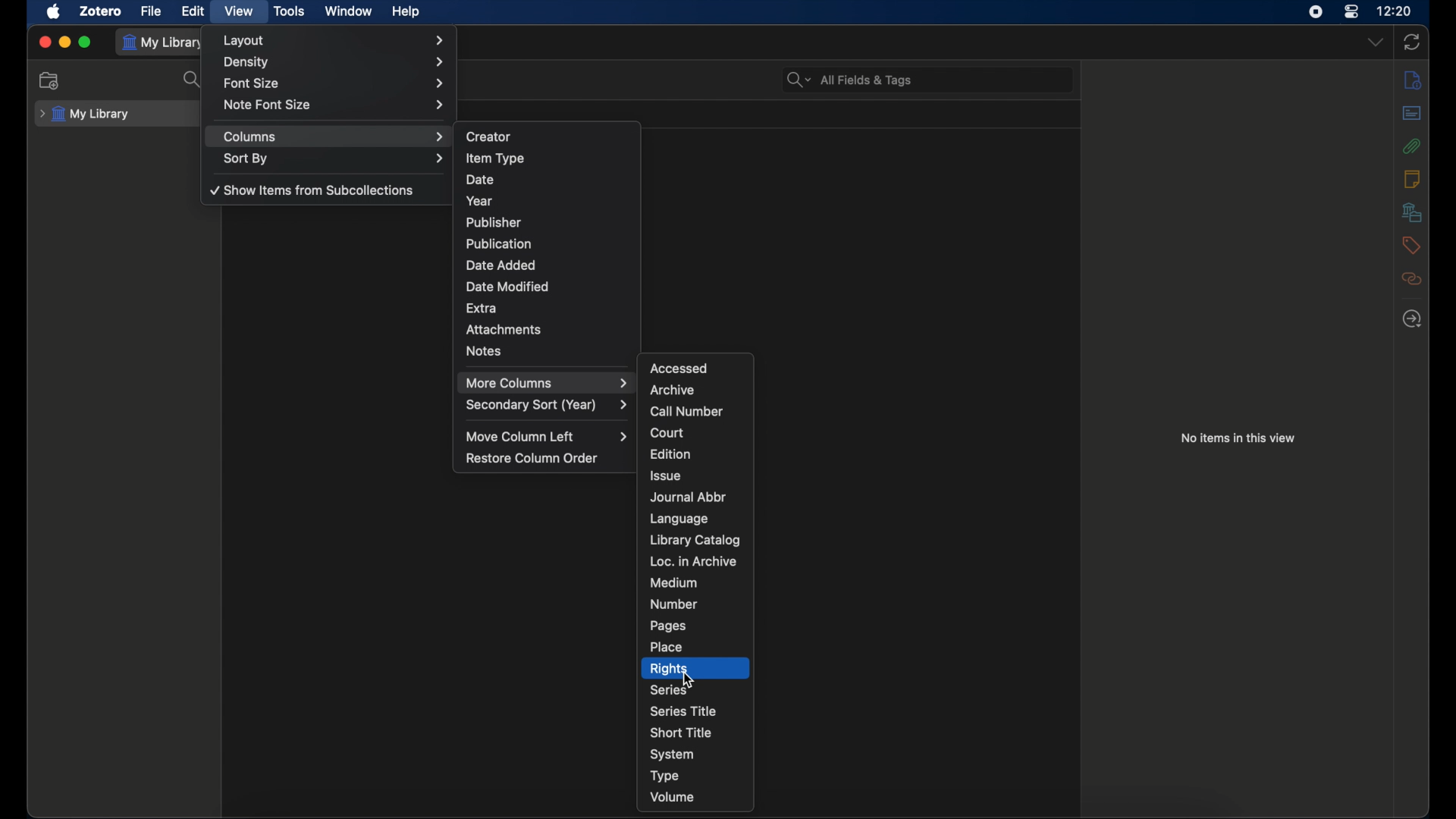 The height and width of the screenshot is (819, 1456). What do you see at coordinates (194, 11) in the screenshot?
I see `edit` at bounding box center [194, 11].